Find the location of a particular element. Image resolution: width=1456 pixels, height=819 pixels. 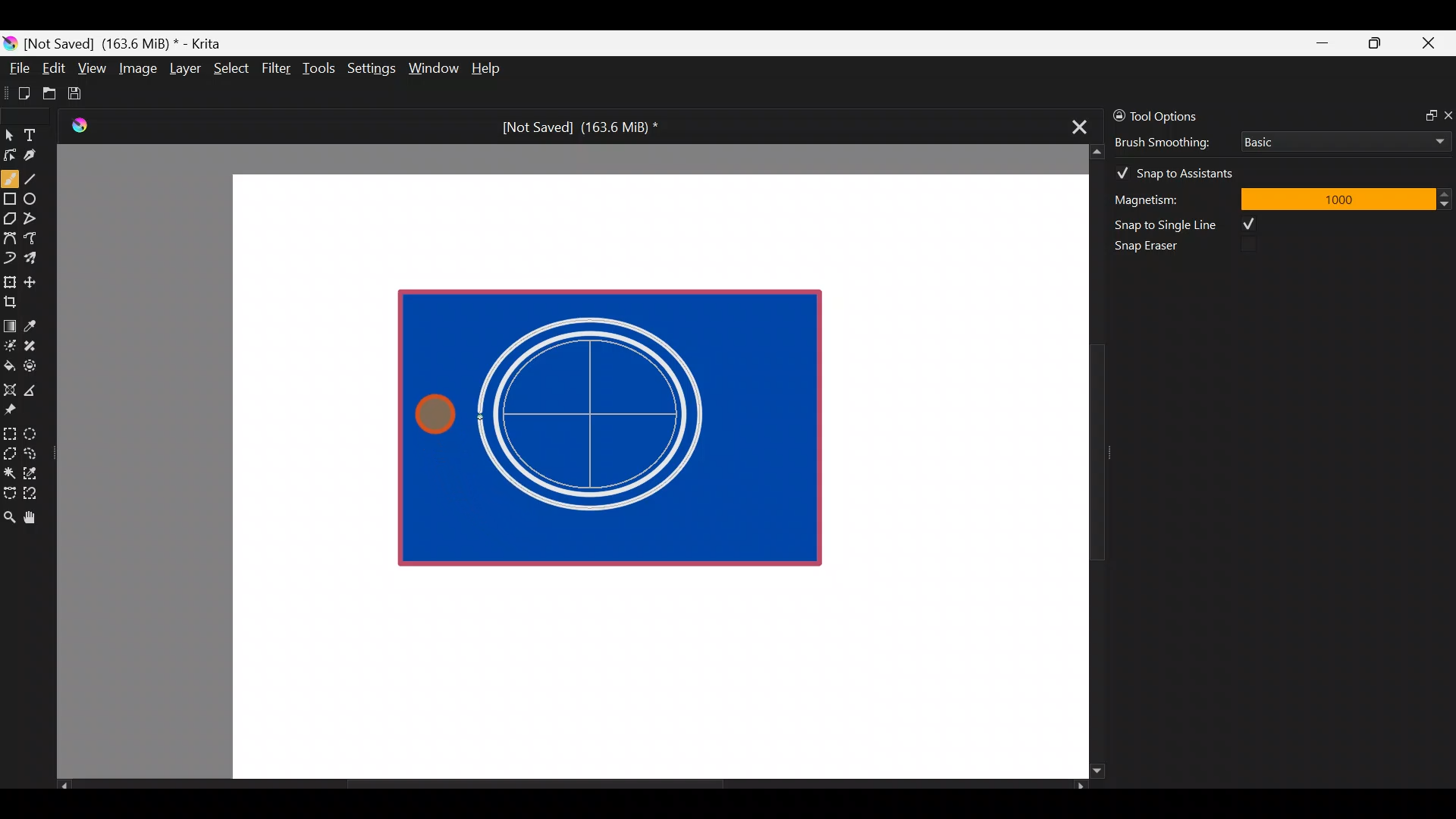

Colourise mask tool is located at coordinates (10, 344).